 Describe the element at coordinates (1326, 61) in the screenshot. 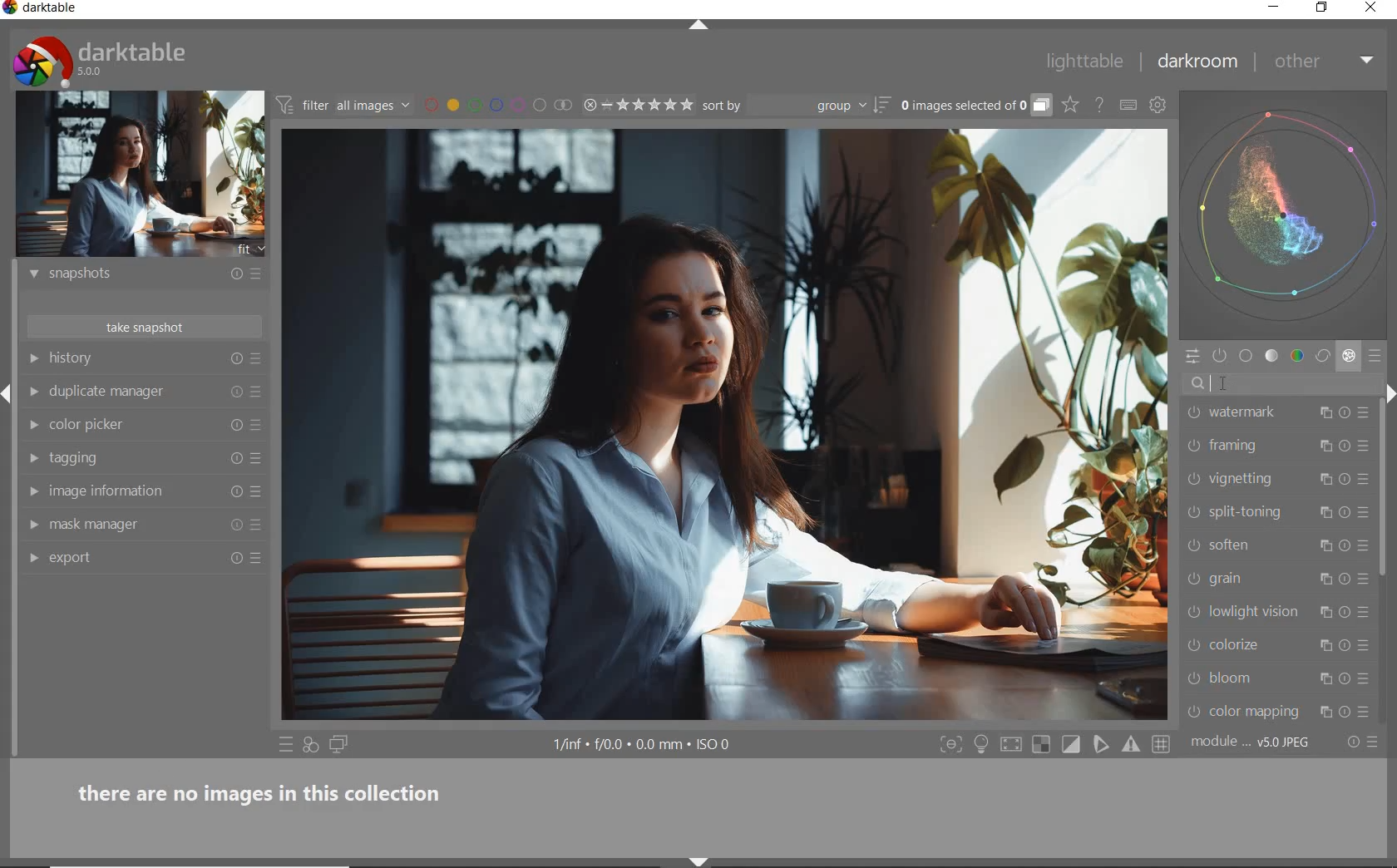

I see `other` at that location.